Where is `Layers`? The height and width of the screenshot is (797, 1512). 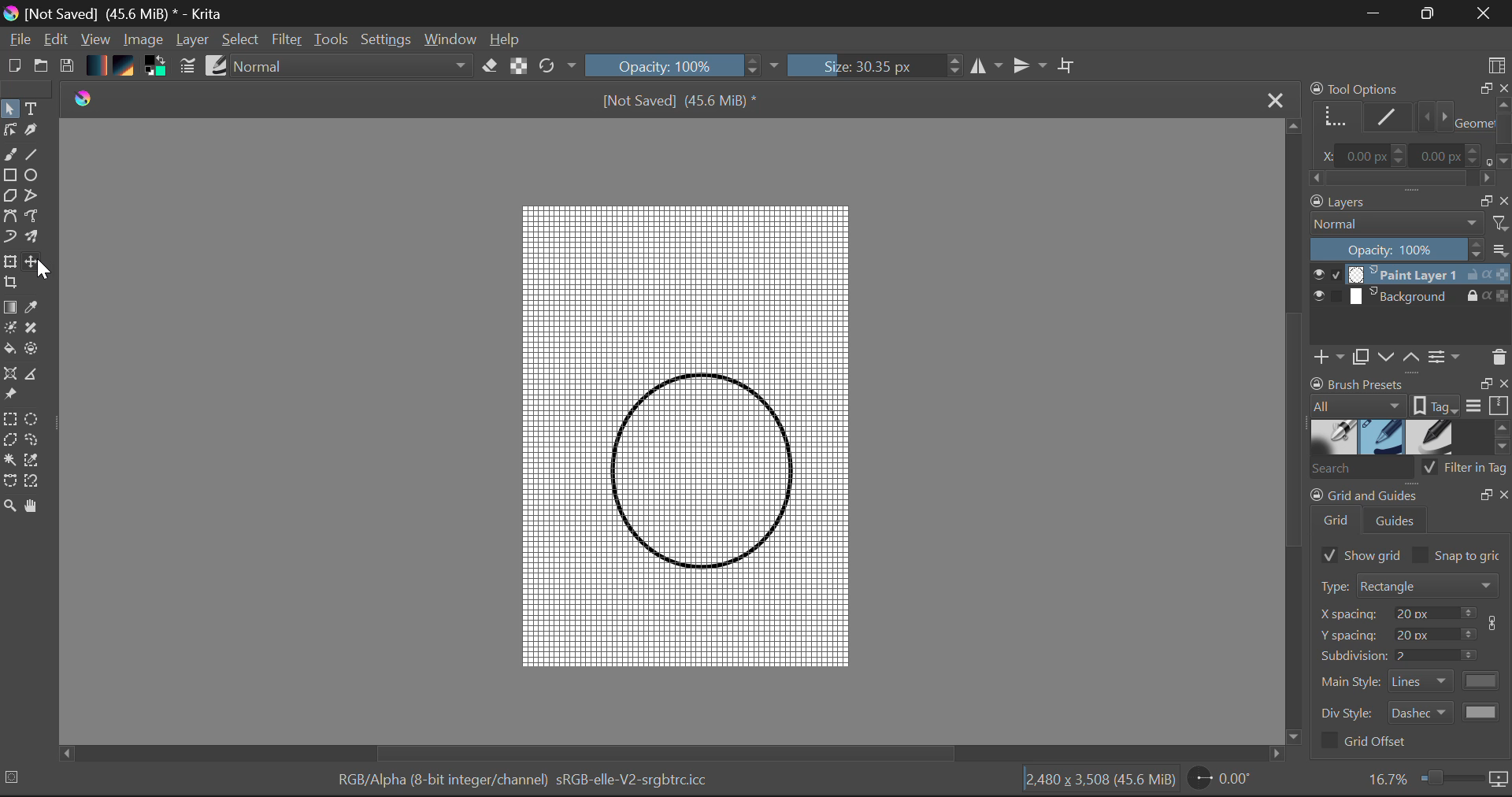
Layers is located at coordinates (1411, 287).